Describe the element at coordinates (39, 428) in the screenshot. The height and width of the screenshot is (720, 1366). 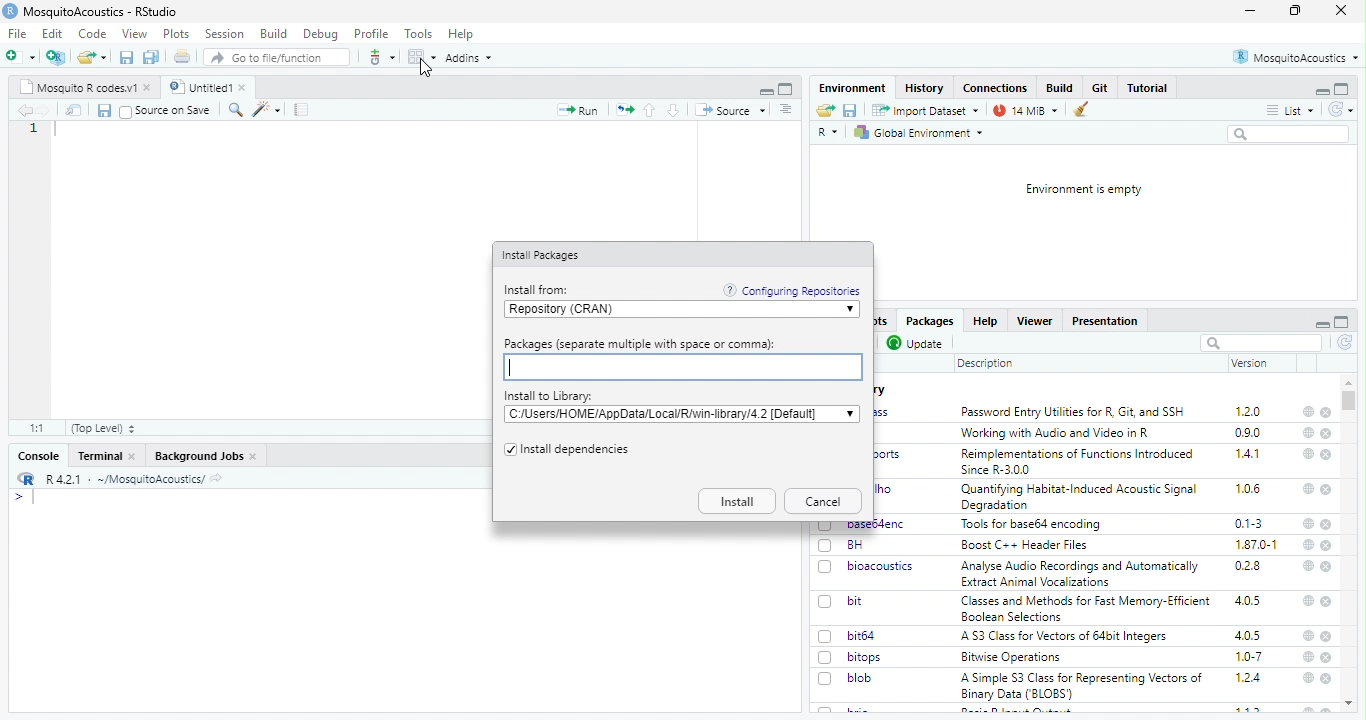
I see `1:1` at that location.